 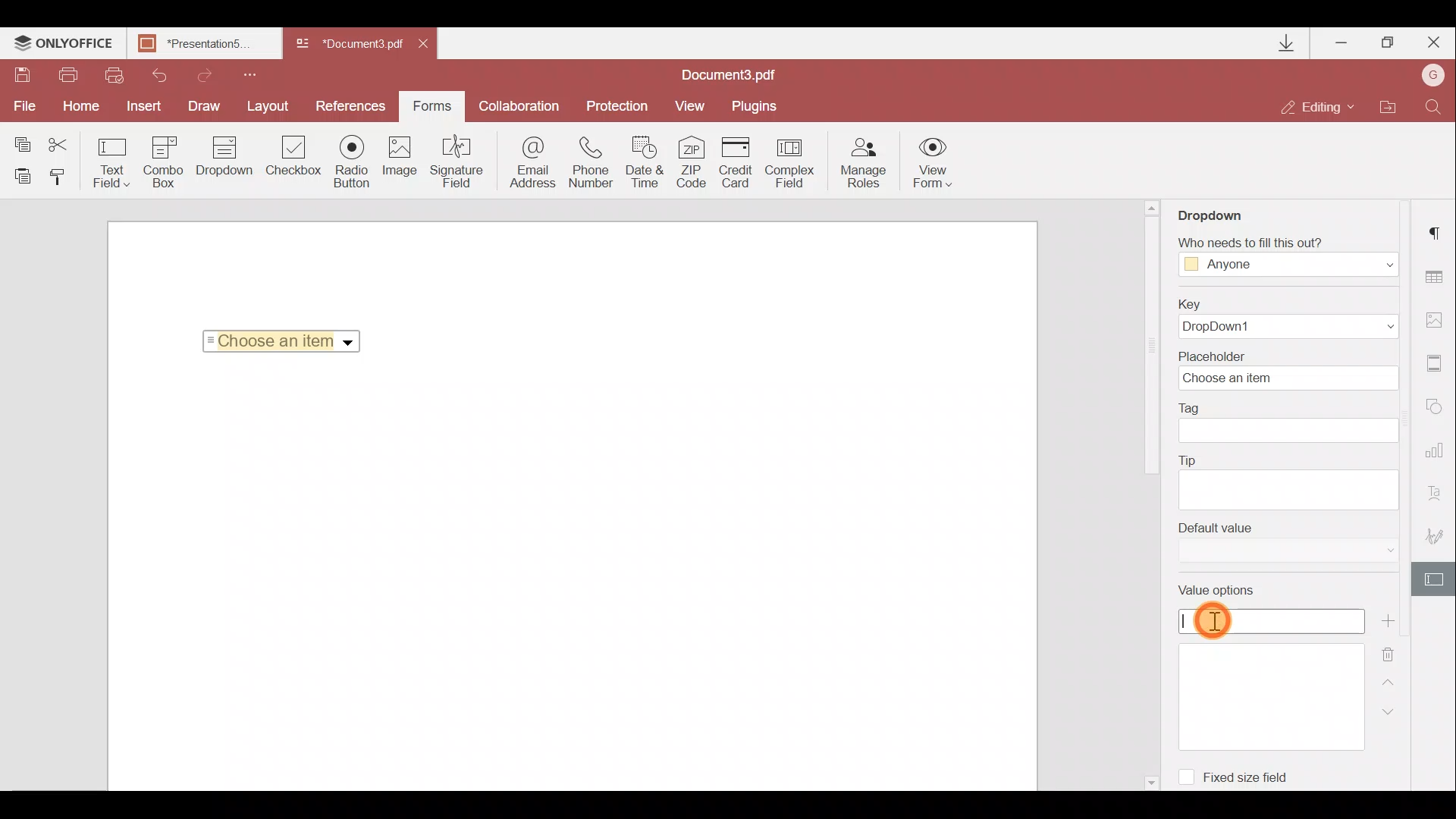 What do you see at coordinates (1434, 105) in the screenshot?
I see `Find` at bounding box center [1434, 105].